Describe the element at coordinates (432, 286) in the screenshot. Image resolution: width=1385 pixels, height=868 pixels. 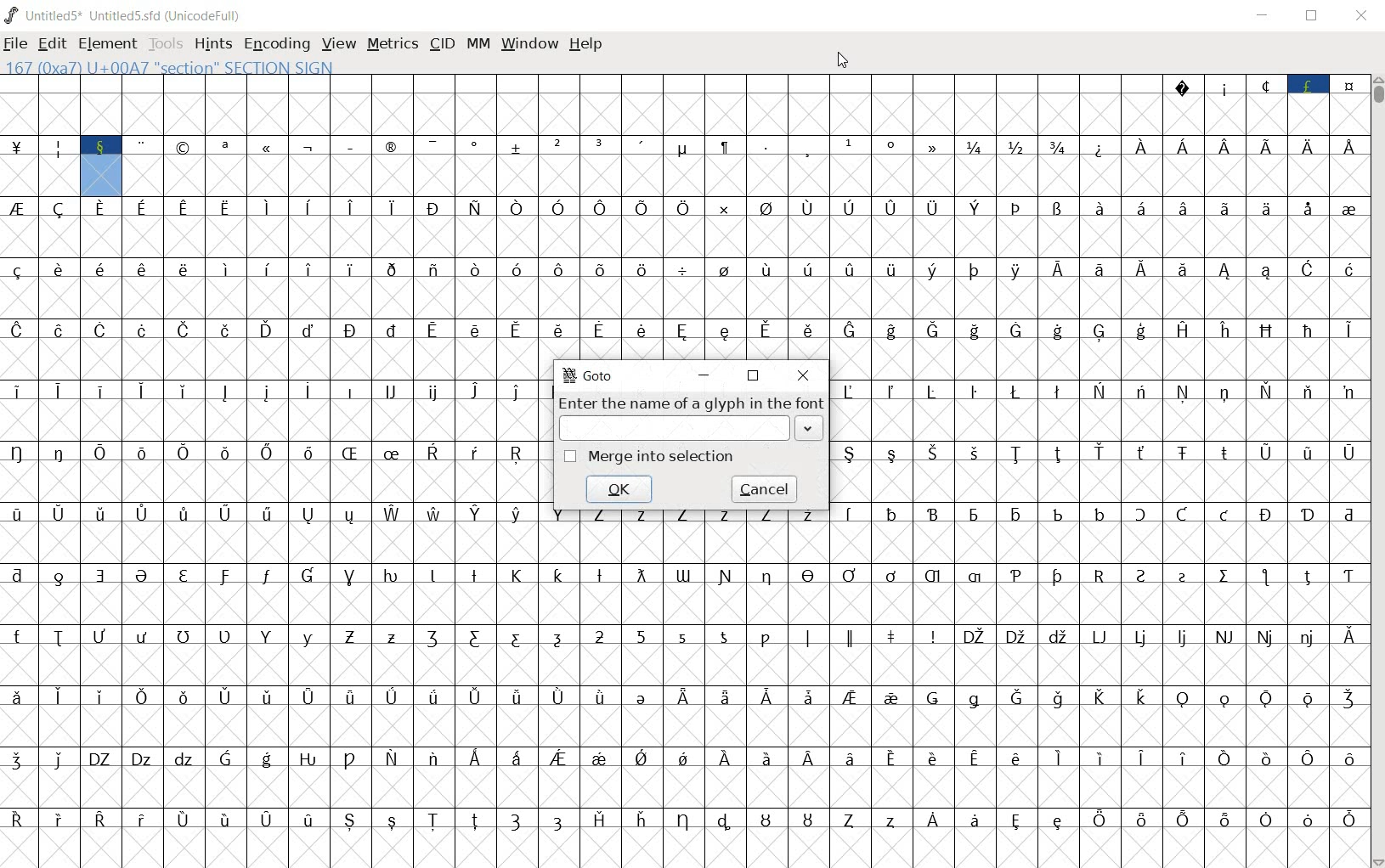
I see `accented alphabet` at that location.